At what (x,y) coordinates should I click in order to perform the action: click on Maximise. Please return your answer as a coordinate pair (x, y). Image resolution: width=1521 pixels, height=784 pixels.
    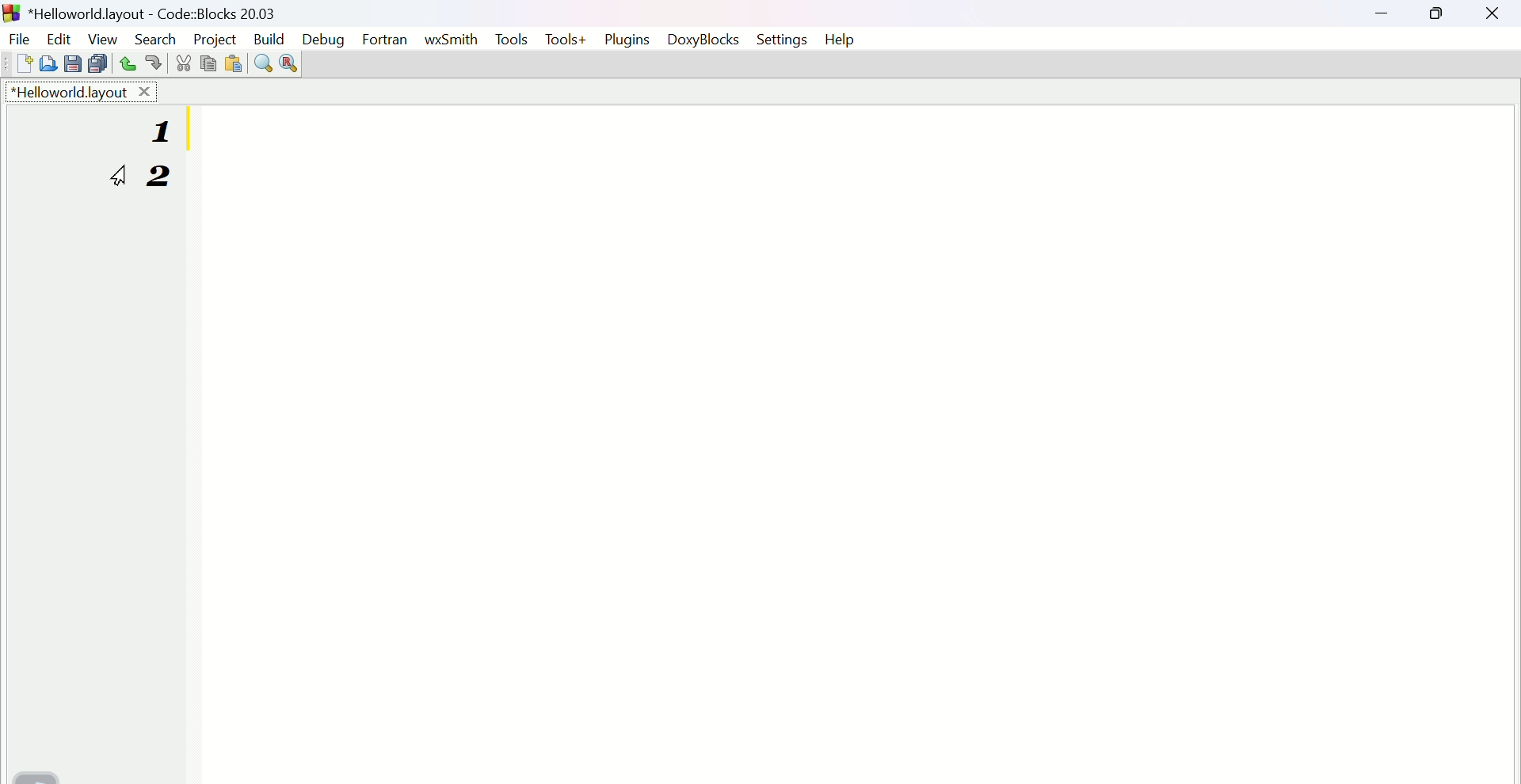
    Looking at the image, I should click on (1439, 18).